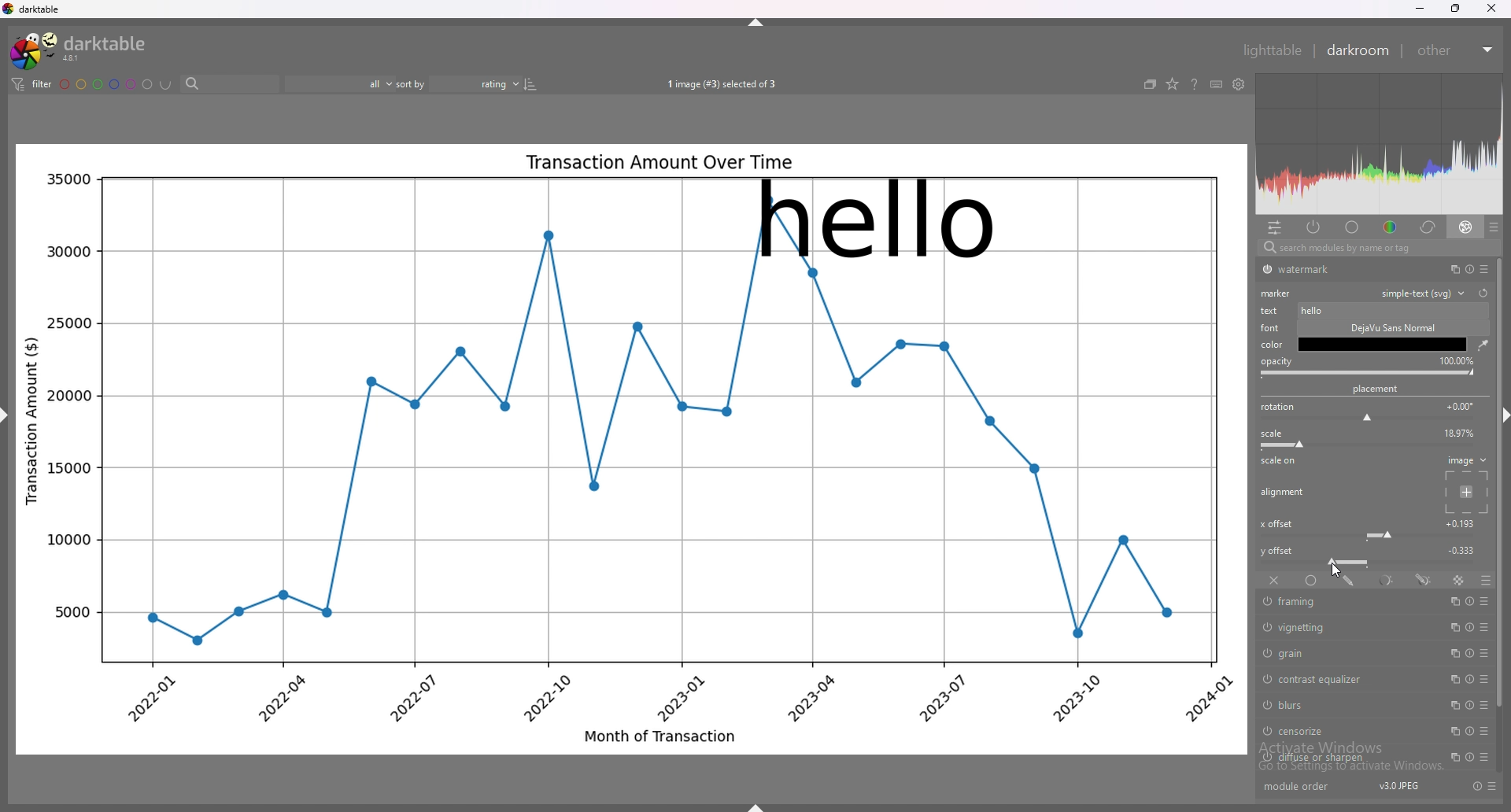 The image size is (1511, 812). What do you see at coordinates (1461, 405) in the screenshot?
I see `rotation degrees` at bounding box center [1461, 405].